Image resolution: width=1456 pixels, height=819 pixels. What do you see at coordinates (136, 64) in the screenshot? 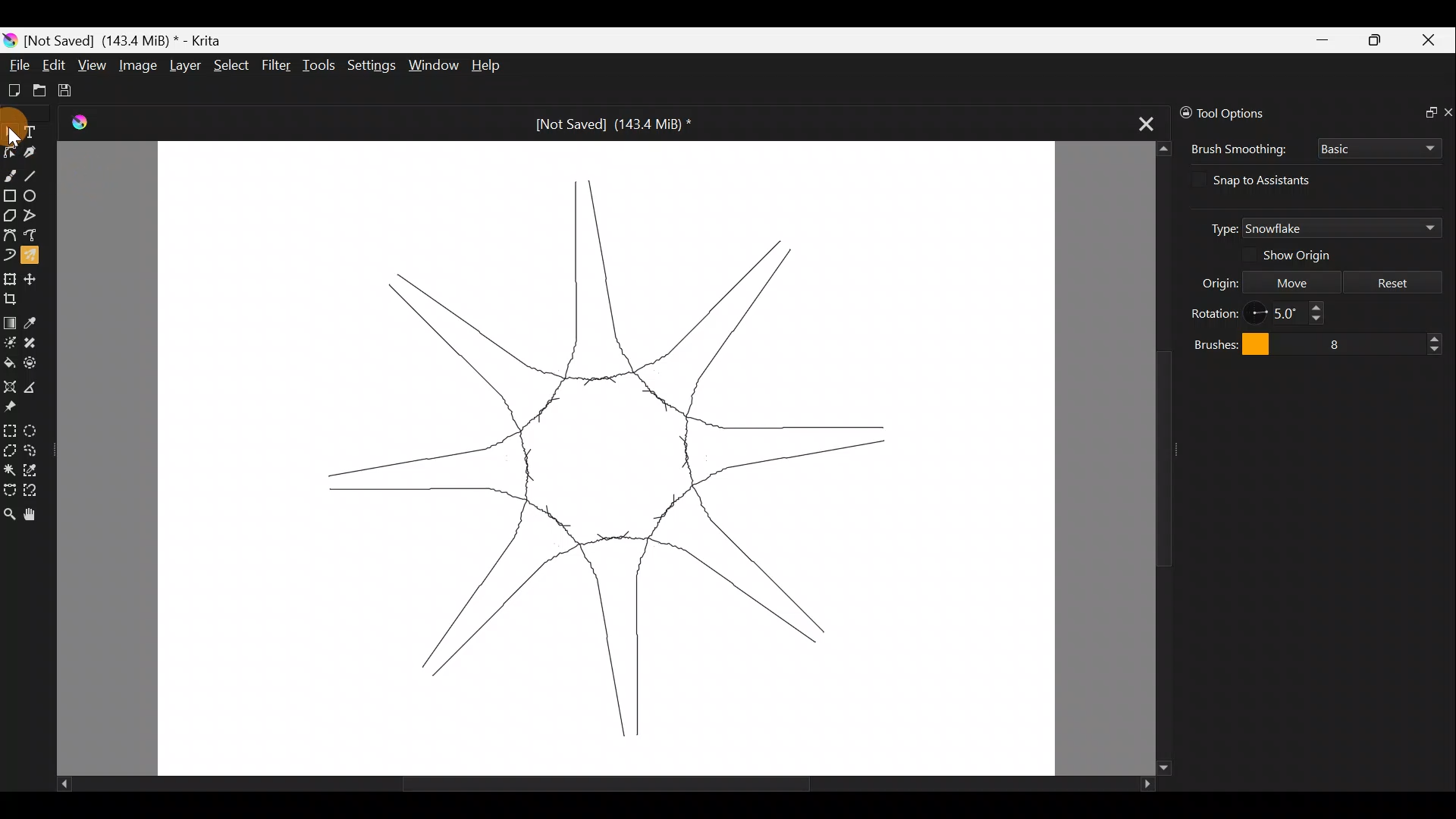
I see `Image` at bounding box center [136, 64].